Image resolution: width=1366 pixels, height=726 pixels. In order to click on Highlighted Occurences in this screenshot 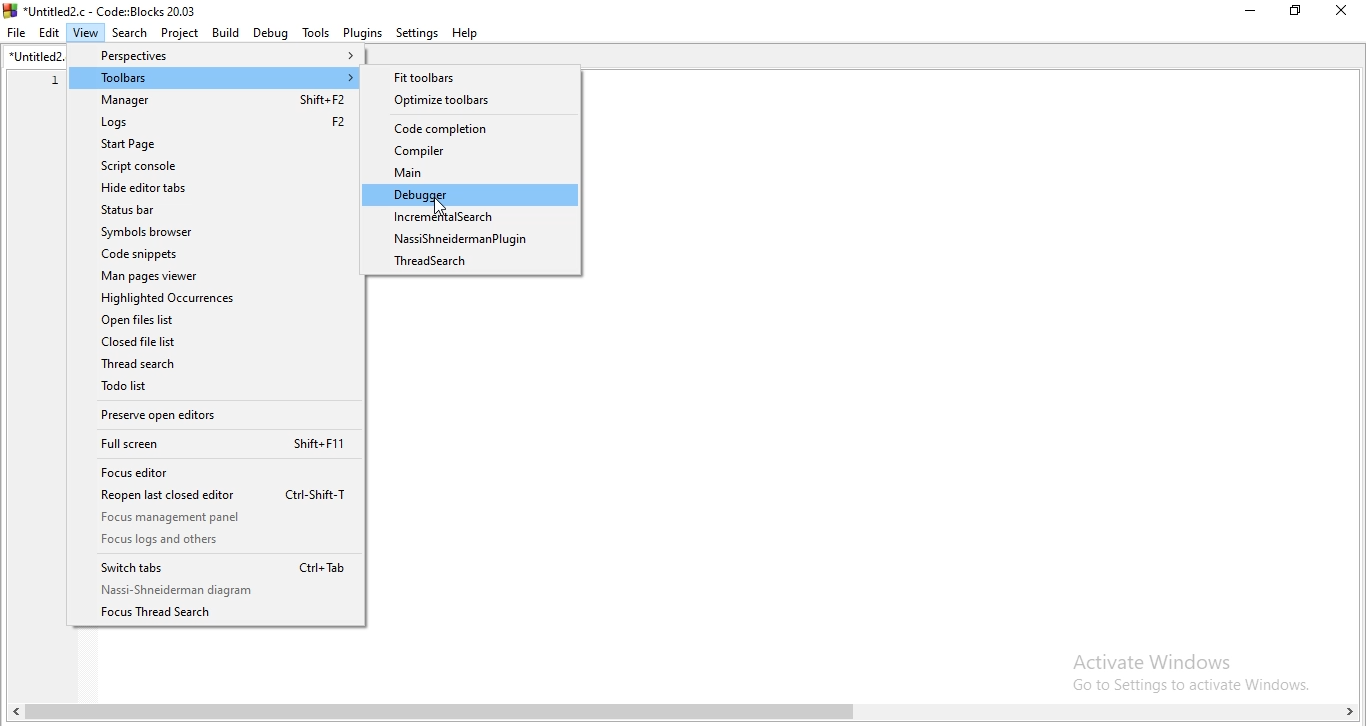, I will do `click(210, 301)`.